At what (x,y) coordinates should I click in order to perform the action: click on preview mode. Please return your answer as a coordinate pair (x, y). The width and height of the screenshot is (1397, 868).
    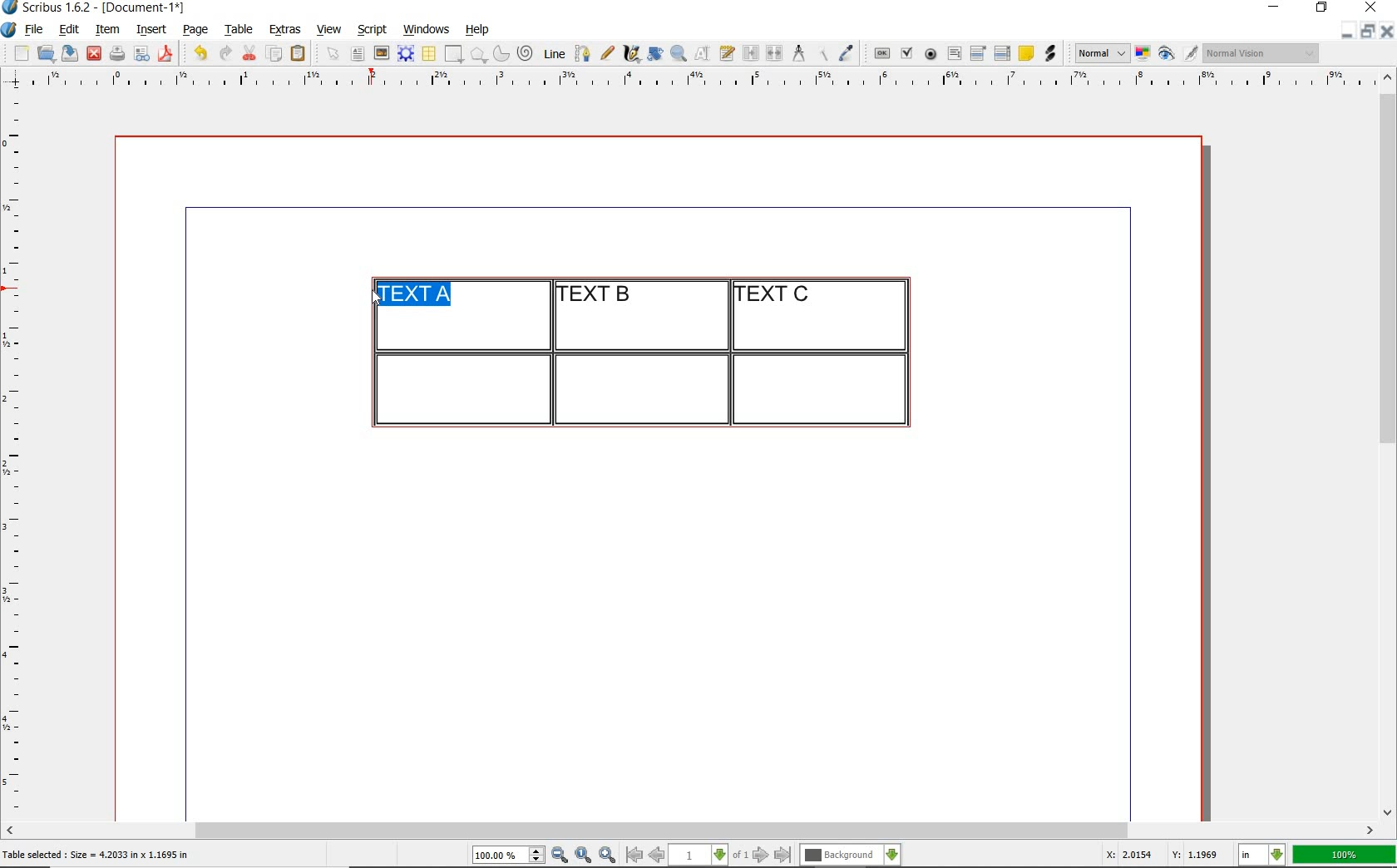
    Looking at the image, I should click on (1178, 54).